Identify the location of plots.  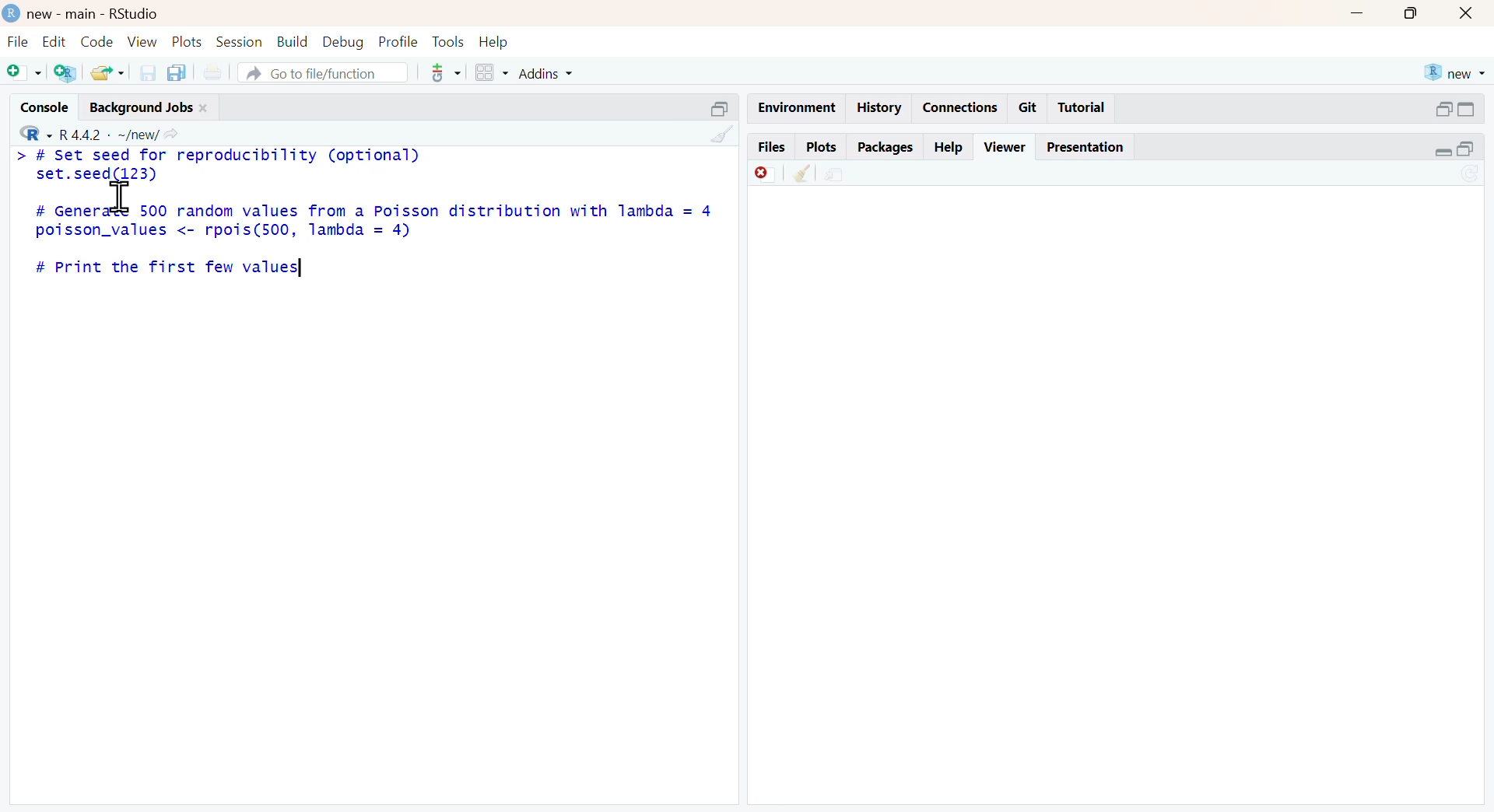
(187, 41).